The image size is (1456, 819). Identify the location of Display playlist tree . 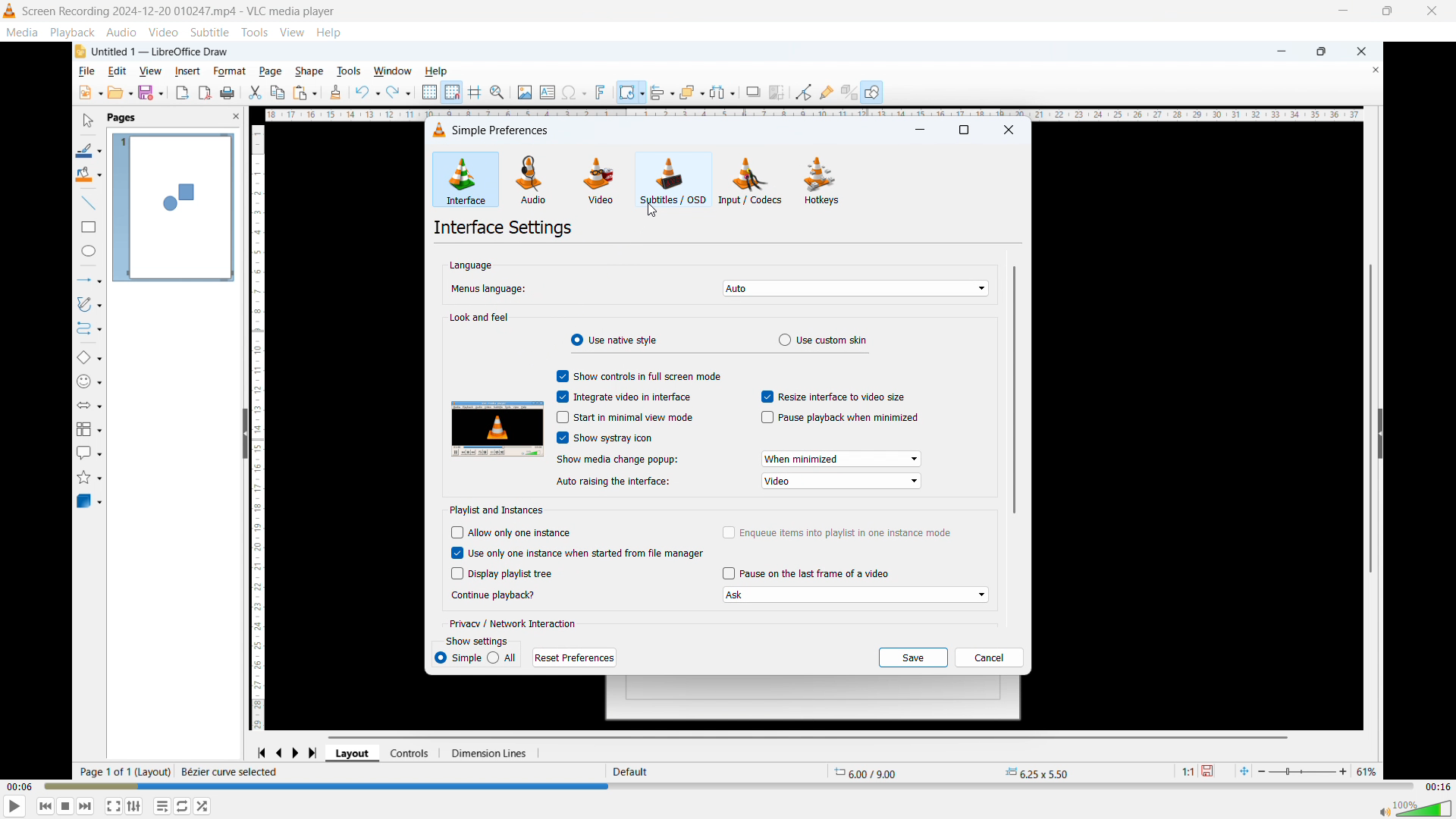
(500, 573).